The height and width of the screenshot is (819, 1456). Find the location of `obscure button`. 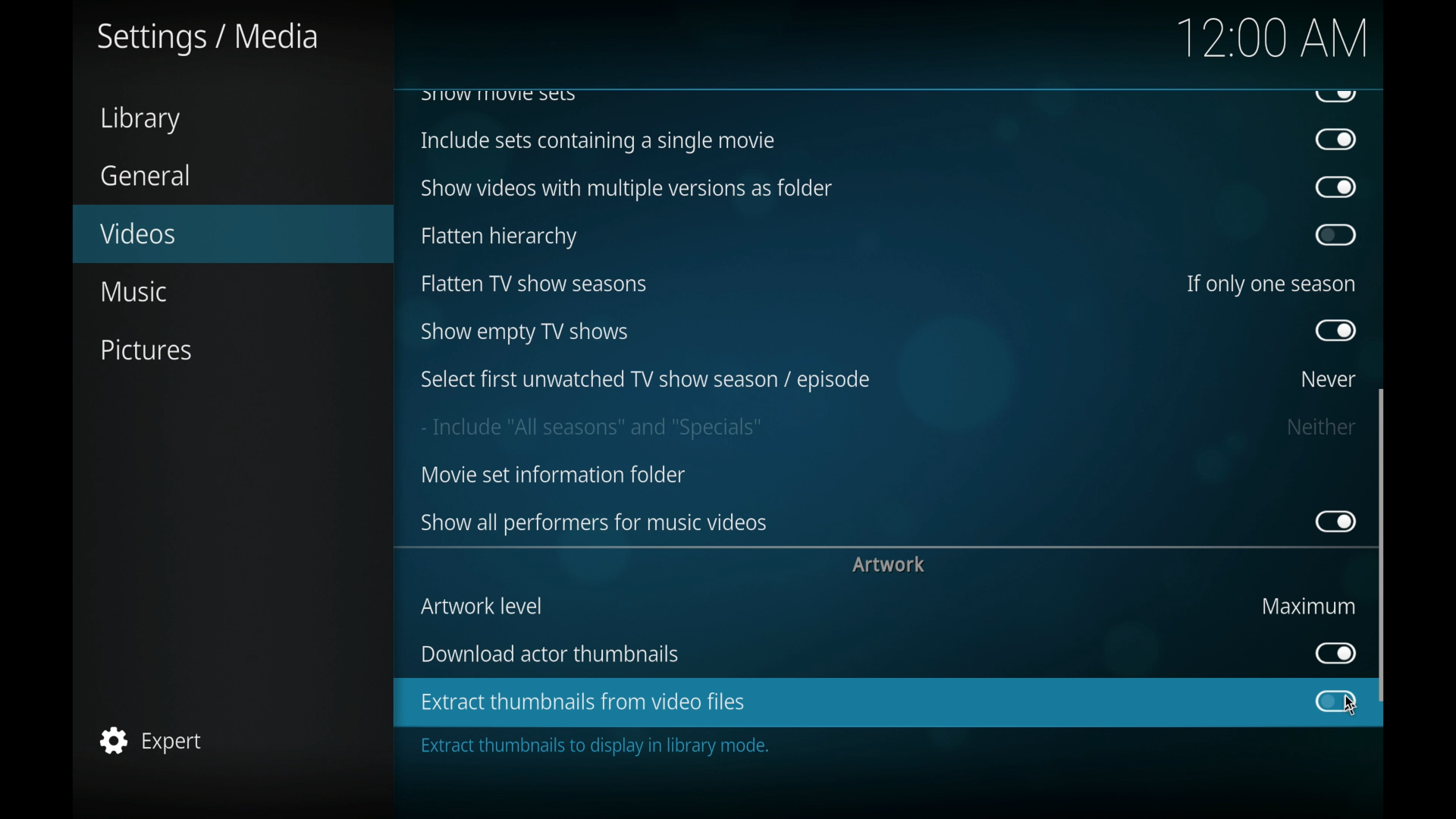

obscure button is located at coordinates (1335, 96).